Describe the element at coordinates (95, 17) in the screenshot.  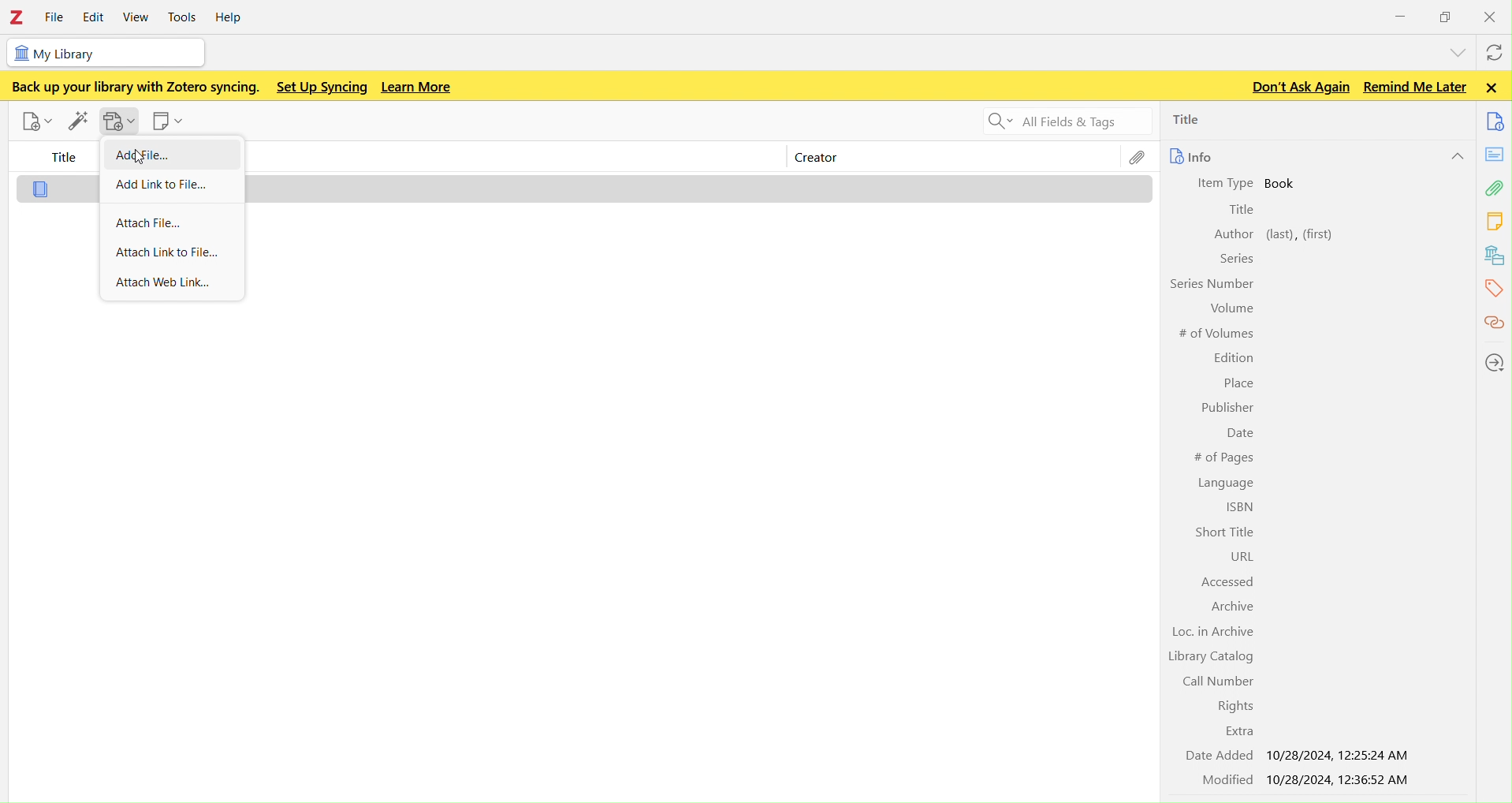
I see `edit` at that location.